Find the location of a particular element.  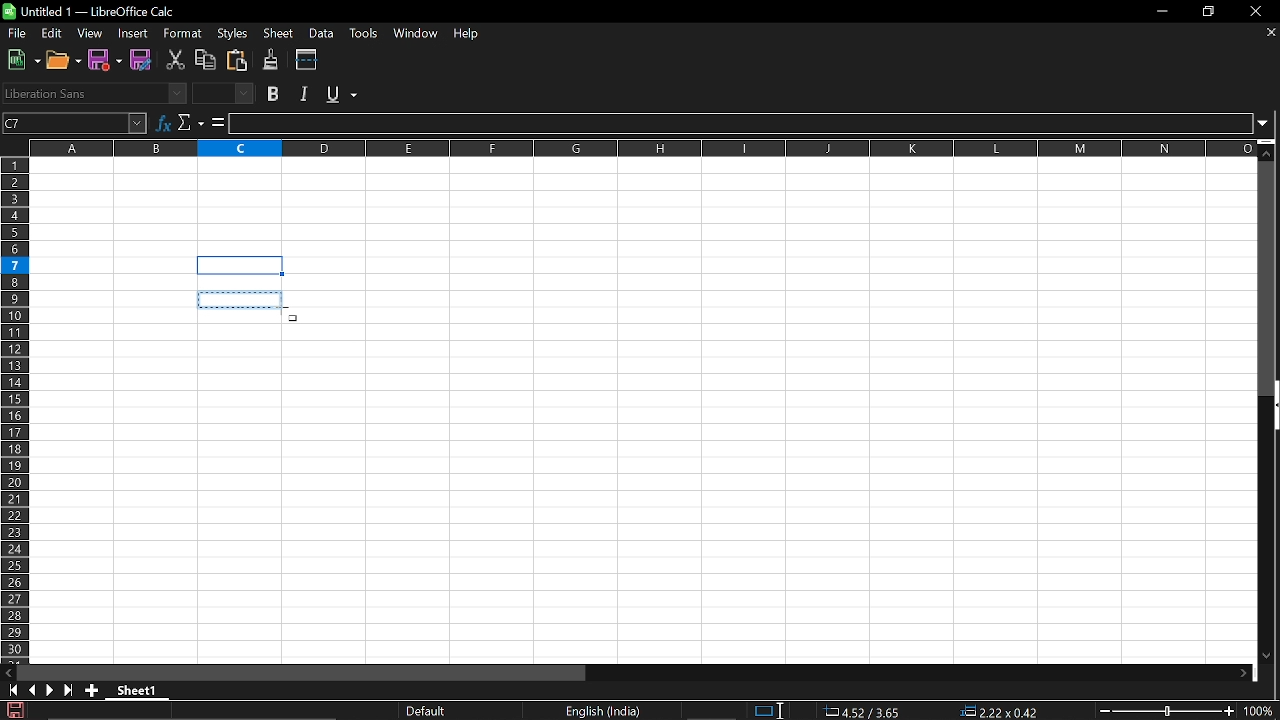

Current sheet is located at coordinates (142, 692).